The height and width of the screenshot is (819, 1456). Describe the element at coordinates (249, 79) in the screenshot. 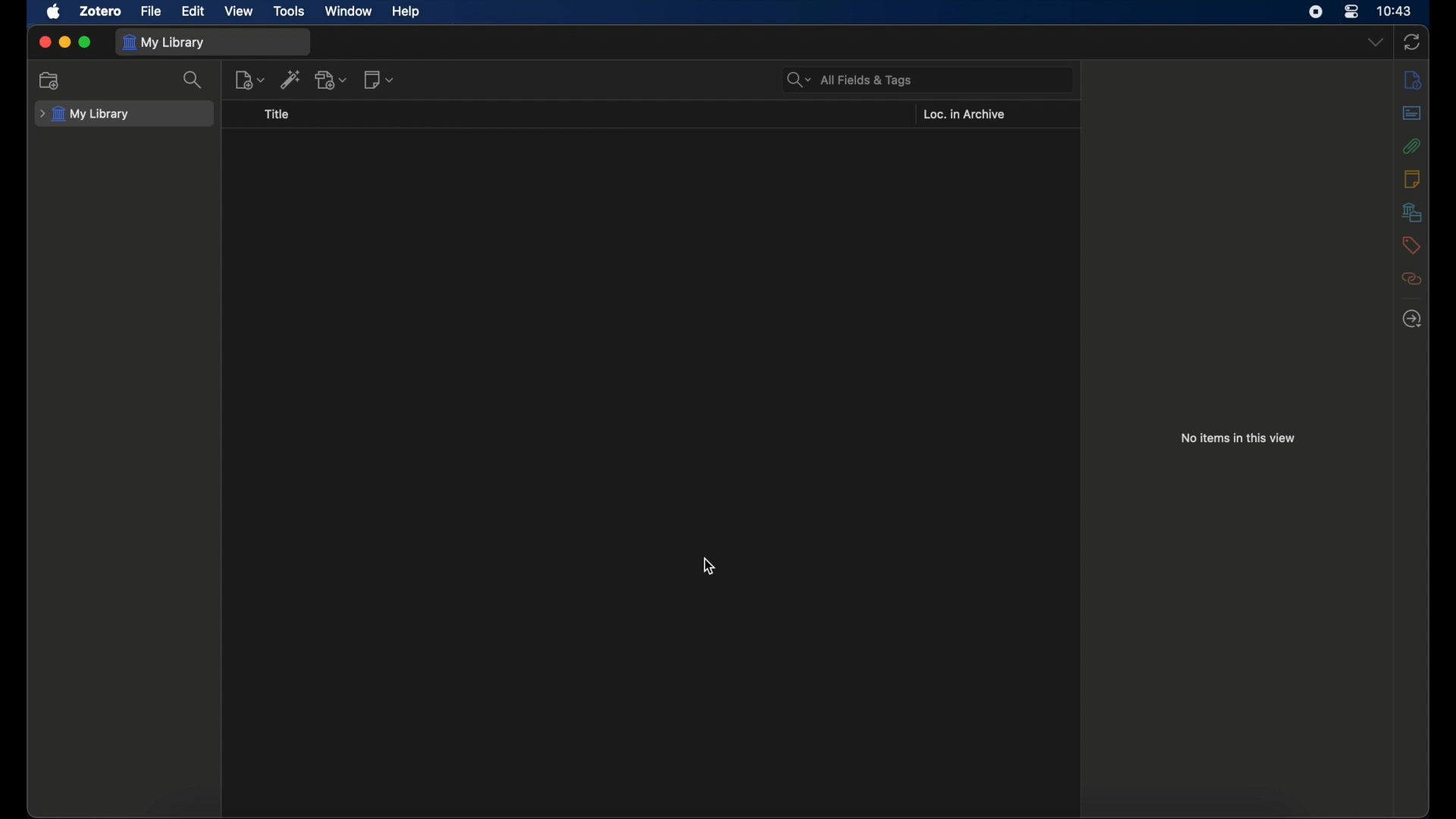

I see `new item` at that location.